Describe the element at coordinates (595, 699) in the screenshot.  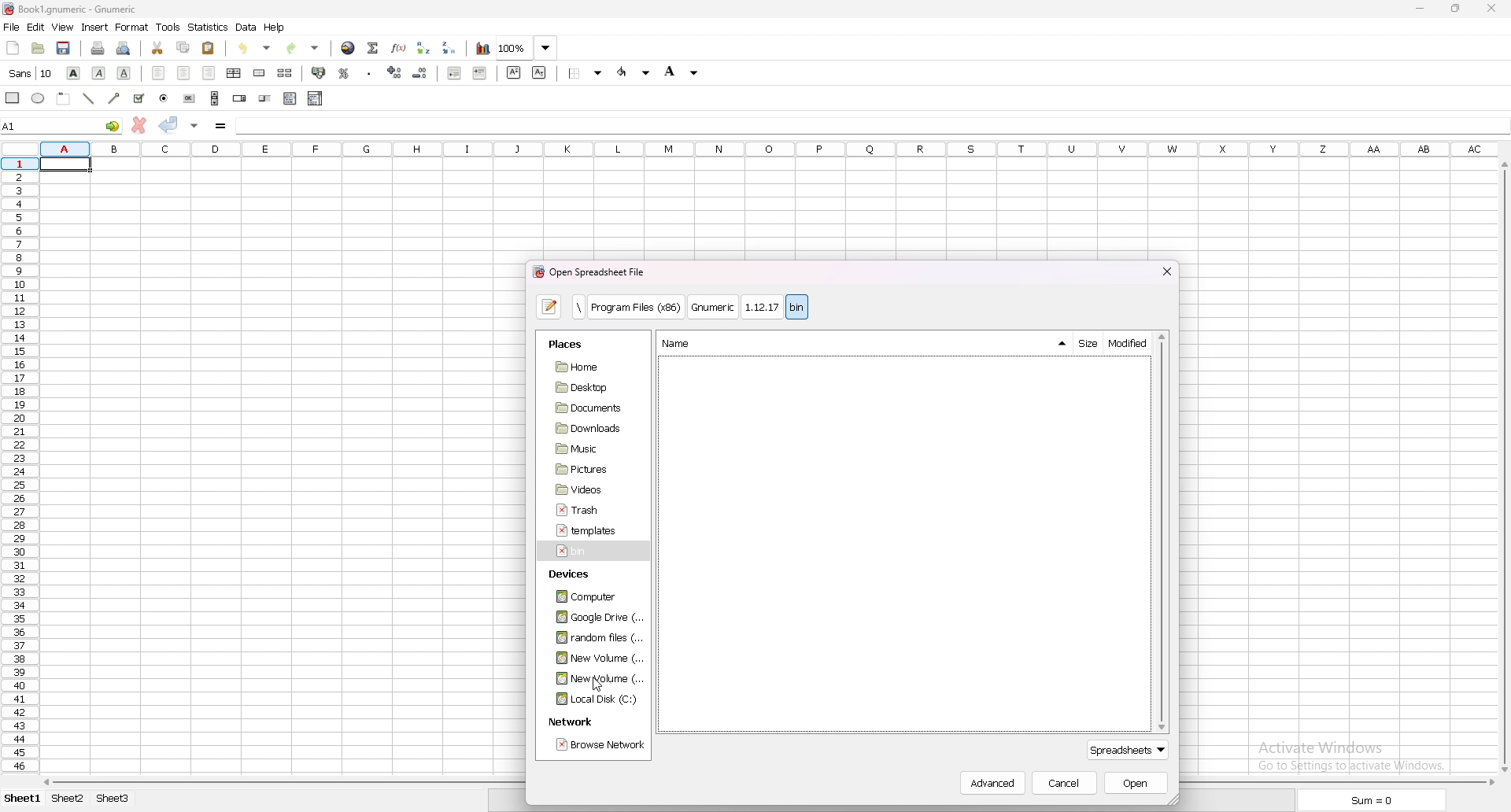
I see `local disk (c)` at that location.